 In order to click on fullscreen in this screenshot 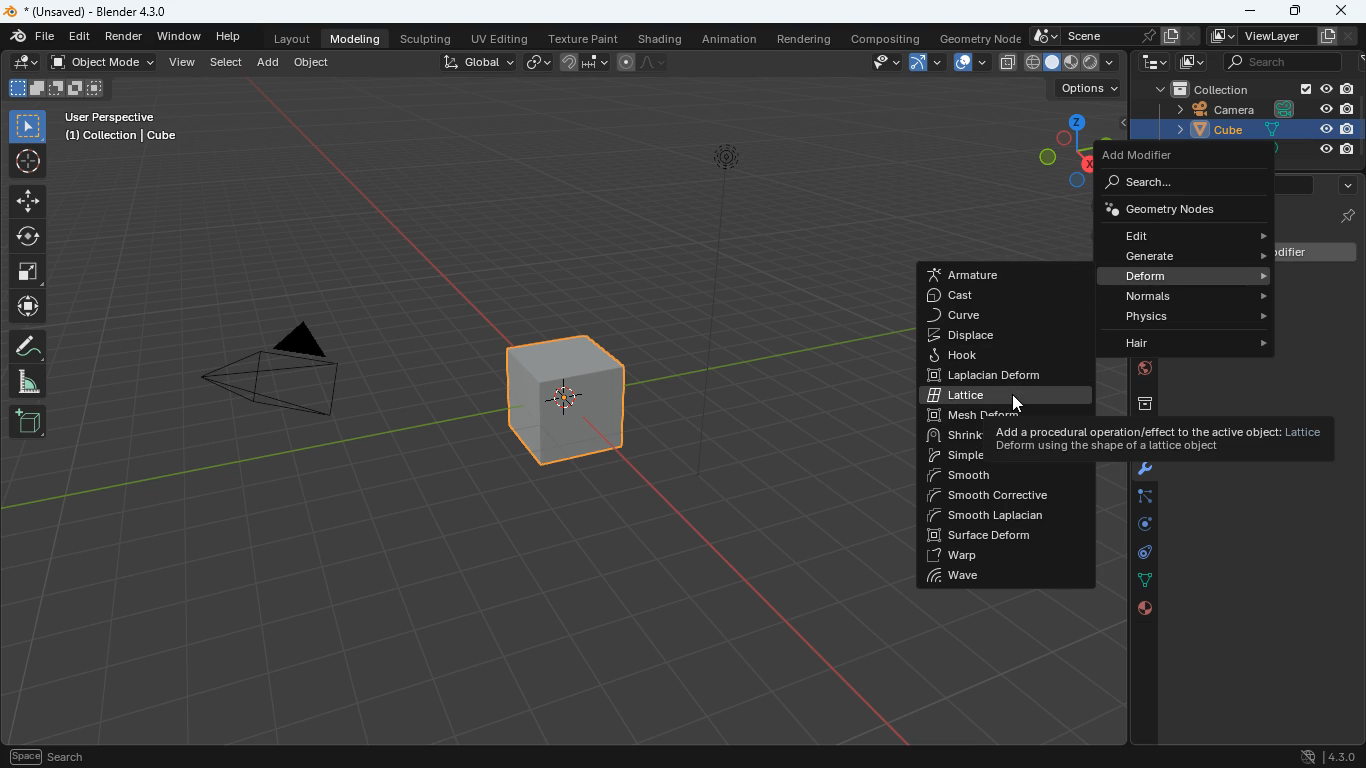, I will do `click(32, 273)`.